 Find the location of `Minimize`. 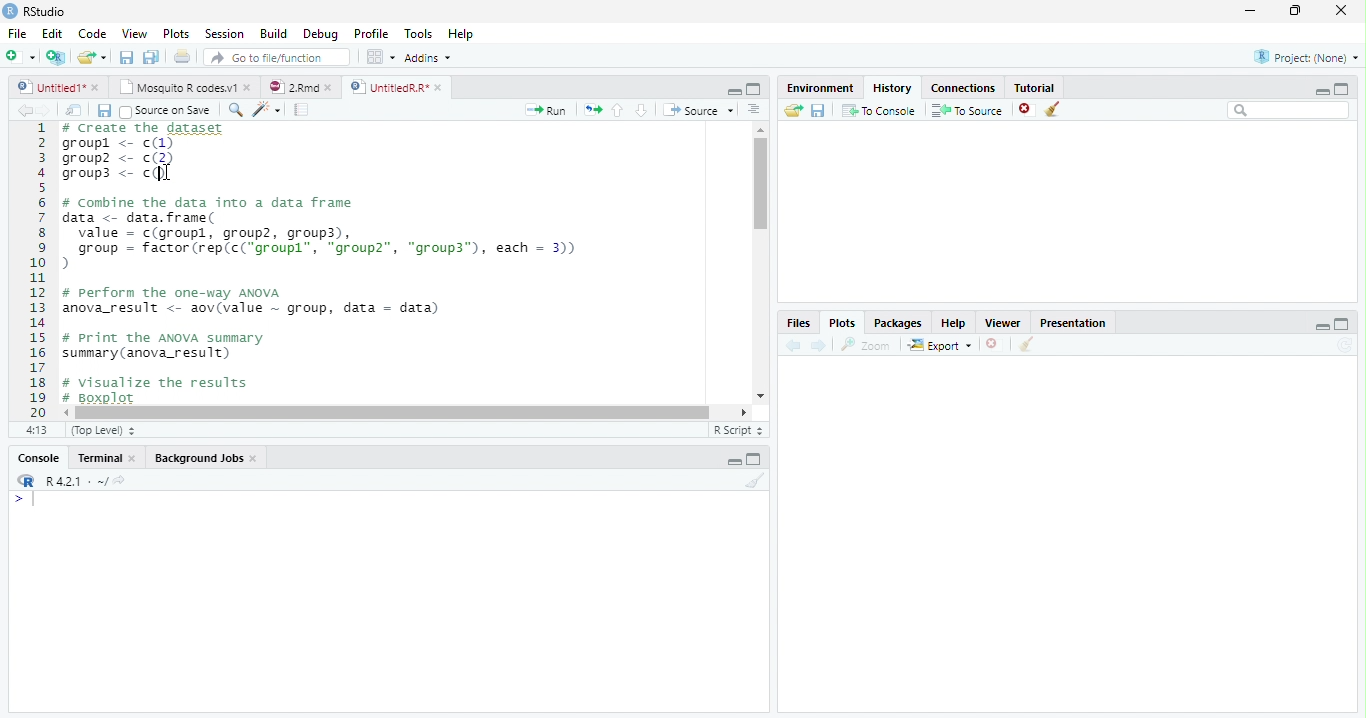

Minimize is located at coordinates (1251, 12).